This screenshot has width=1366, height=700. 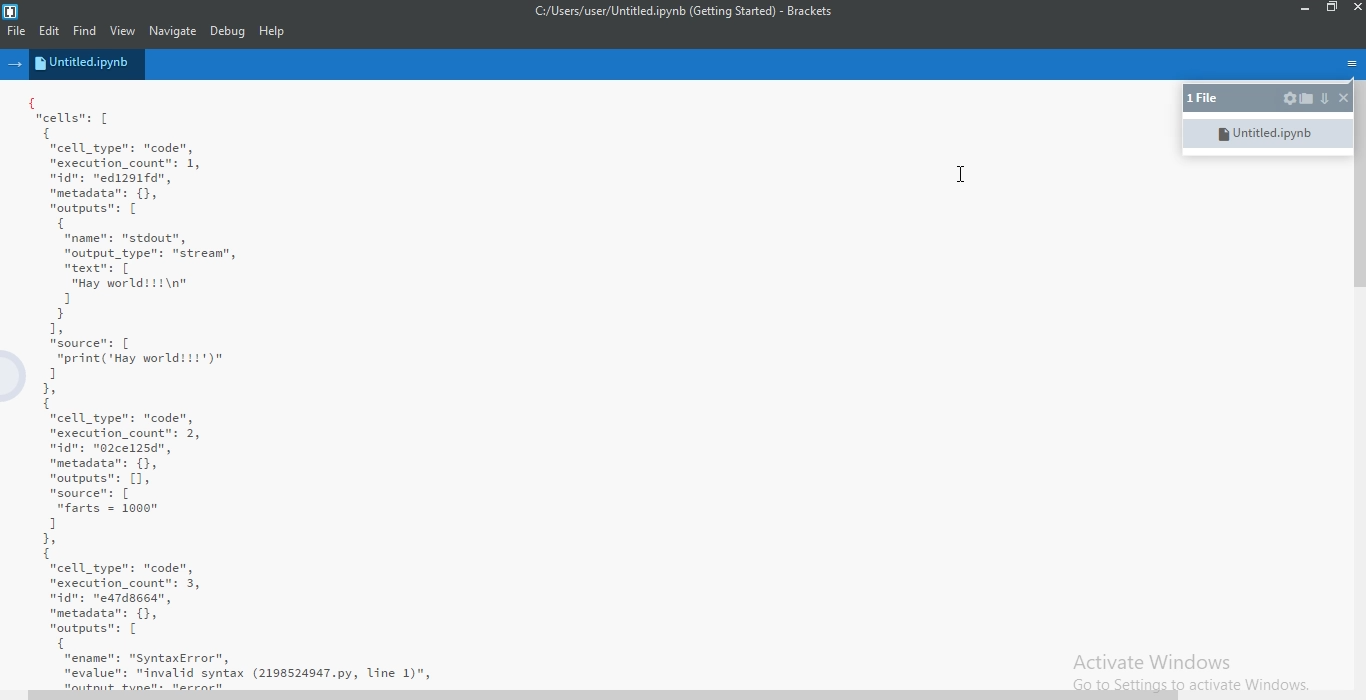 I want to click on scroll bar, so click(x=605, y=695).